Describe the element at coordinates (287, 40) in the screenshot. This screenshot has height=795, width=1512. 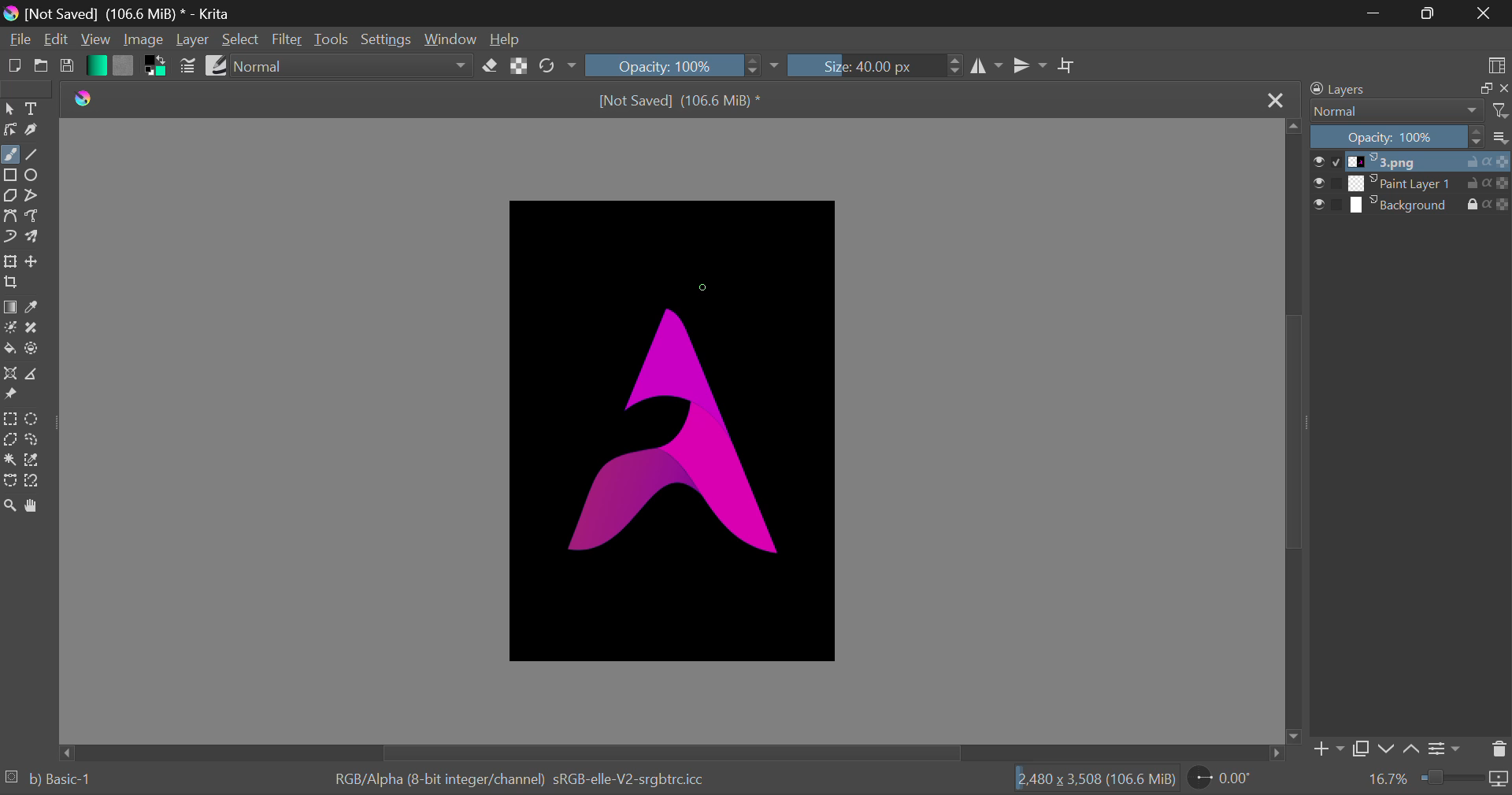
I see `Filter` at that location.